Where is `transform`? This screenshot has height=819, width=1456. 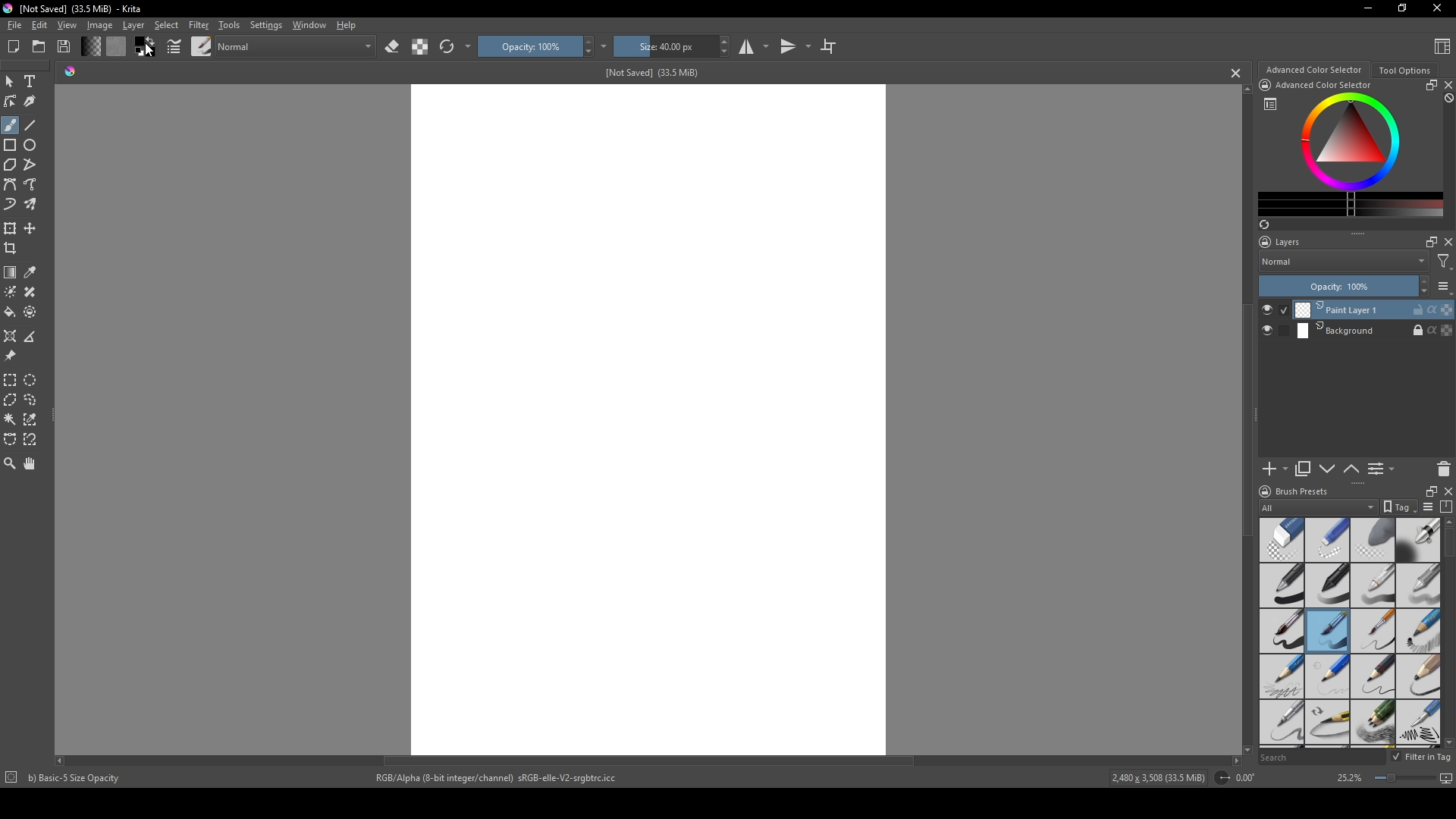
transform is located at coordinates (11, 227).